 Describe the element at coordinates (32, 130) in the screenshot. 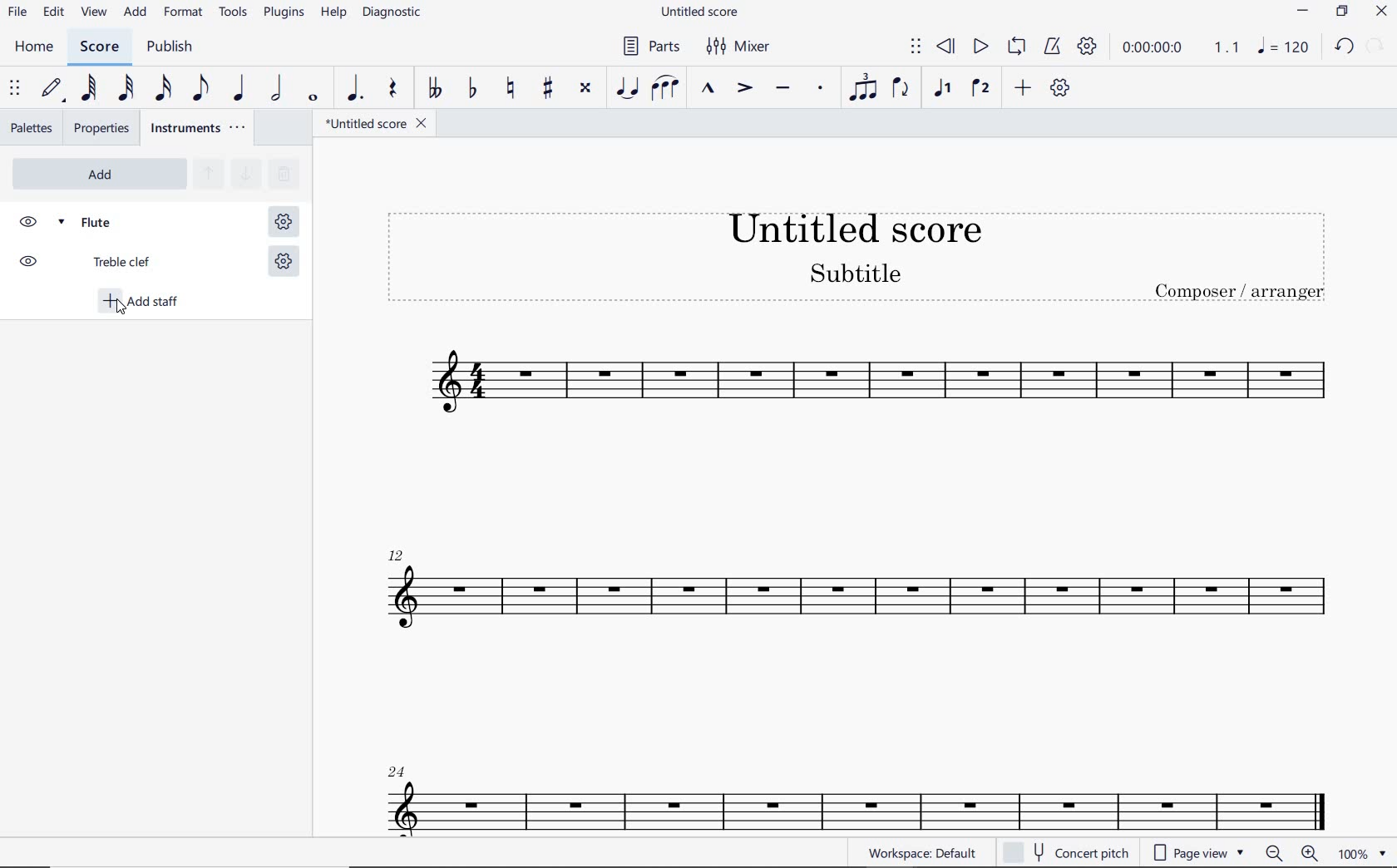

I see `palettes` at that location.